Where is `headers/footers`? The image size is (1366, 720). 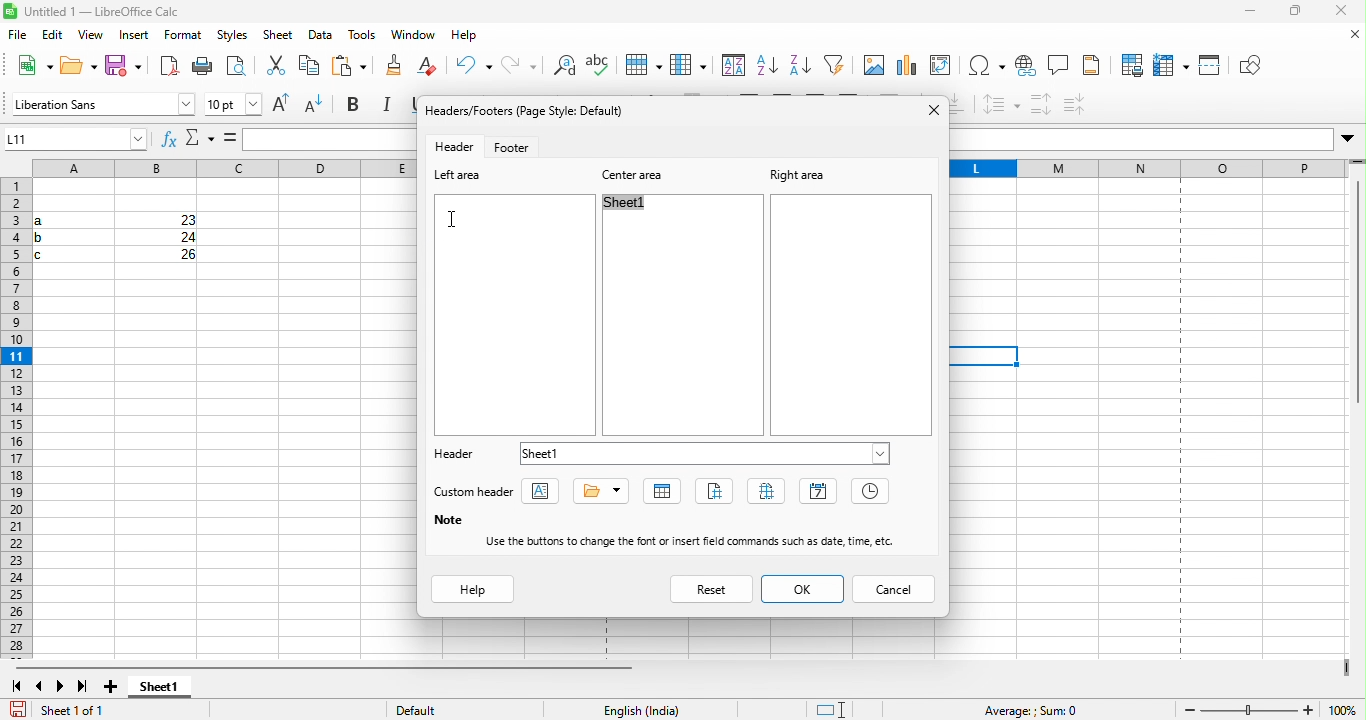
headers/footers is located at coordinates (532, 111).